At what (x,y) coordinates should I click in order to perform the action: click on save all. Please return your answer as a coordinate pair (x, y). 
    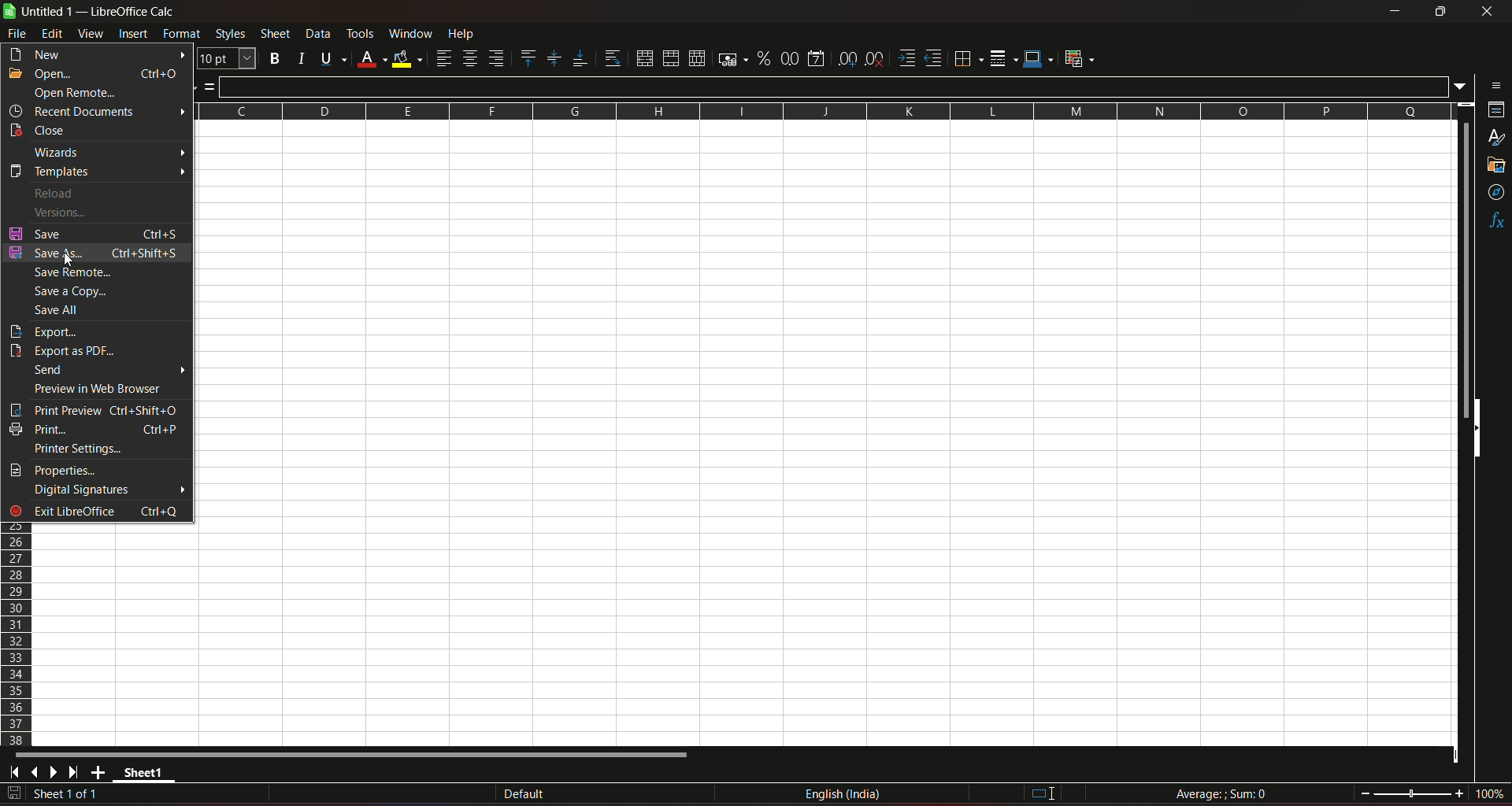
    Looking at the image, I should click on (63, 310).